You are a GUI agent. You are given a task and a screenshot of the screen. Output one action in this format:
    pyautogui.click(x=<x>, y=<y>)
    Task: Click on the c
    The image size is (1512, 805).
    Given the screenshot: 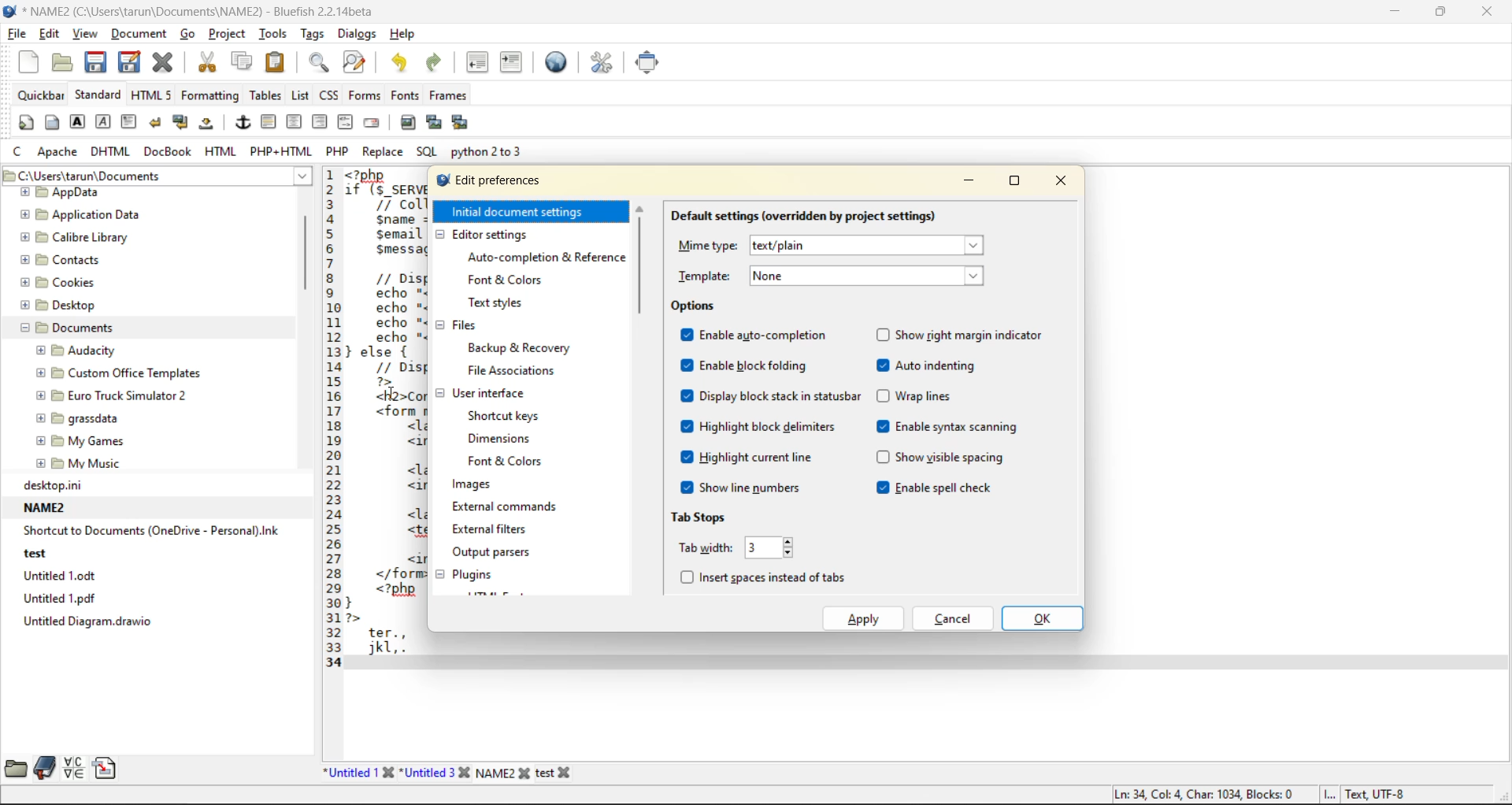 What is the action you would take?
    pyautogui.click(x=15, y=154)
    